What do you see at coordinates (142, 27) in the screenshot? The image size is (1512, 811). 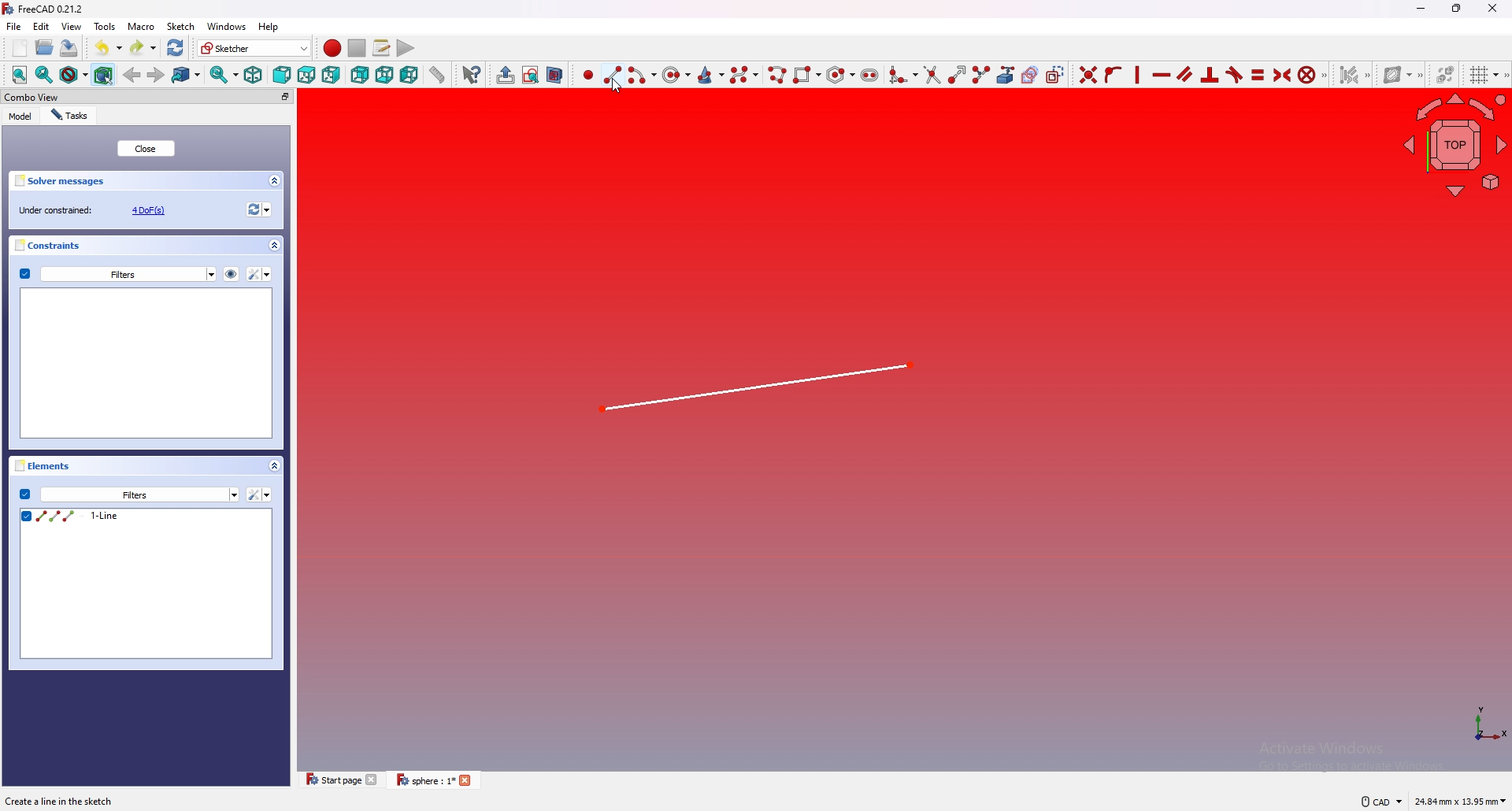 I see `Marco` at bounding box center [142, 27].